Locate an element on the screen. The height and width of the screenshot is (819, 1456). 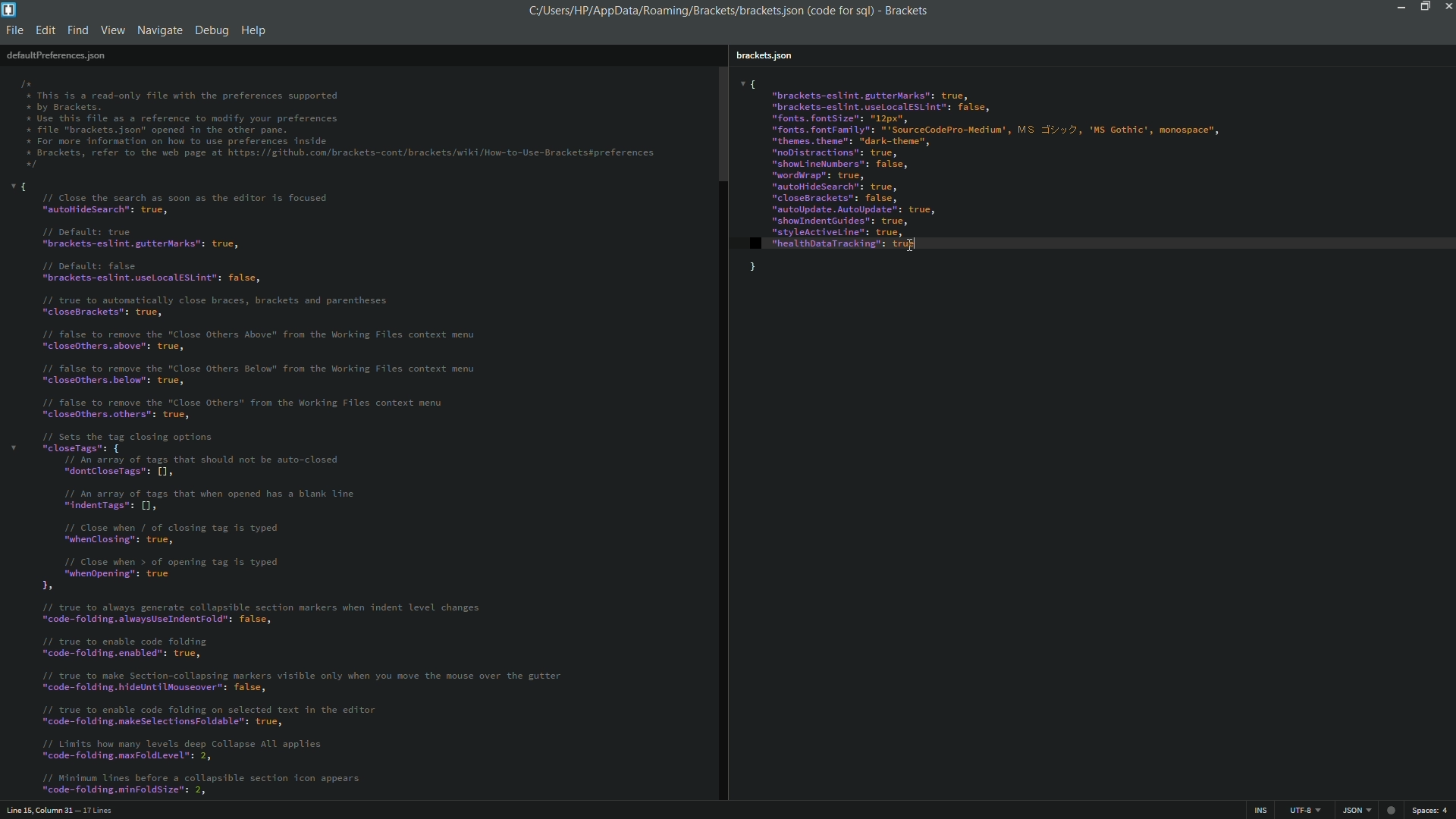
Text is located at coordinates (340, 126).